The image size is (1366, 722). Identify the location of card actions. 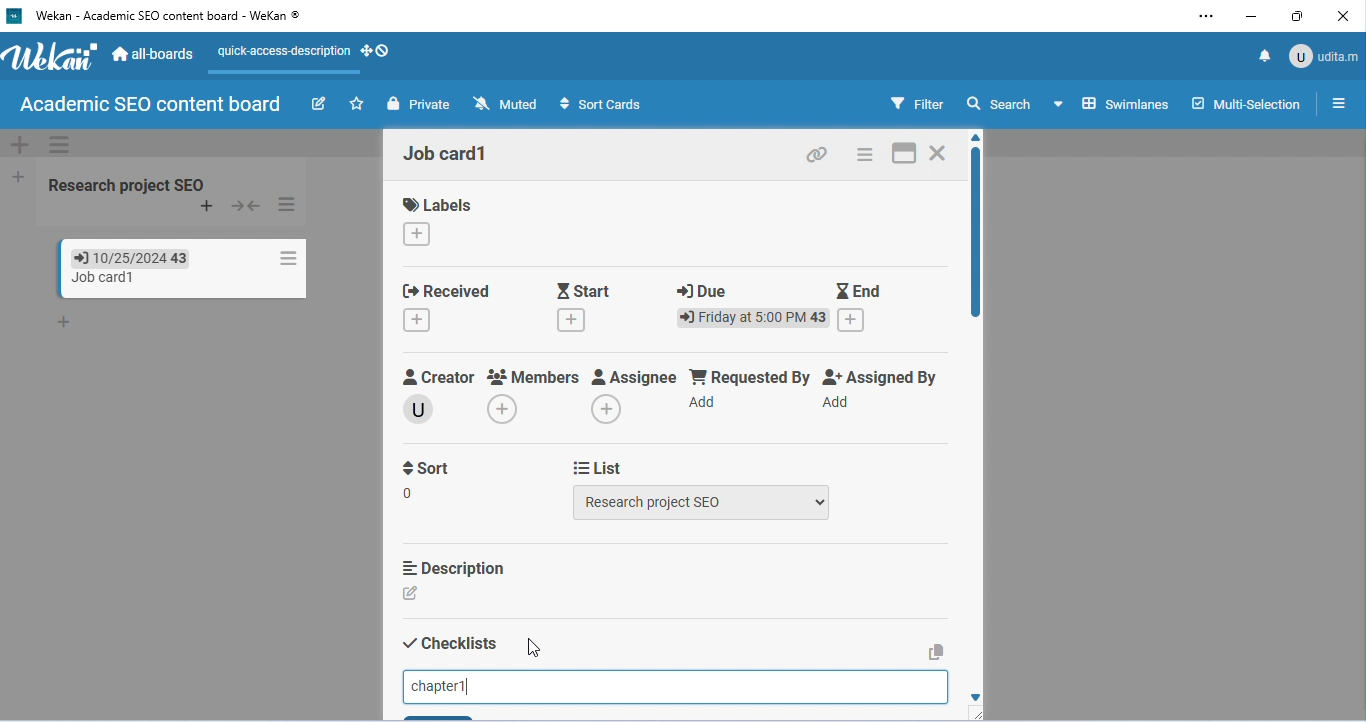
(866, 154).